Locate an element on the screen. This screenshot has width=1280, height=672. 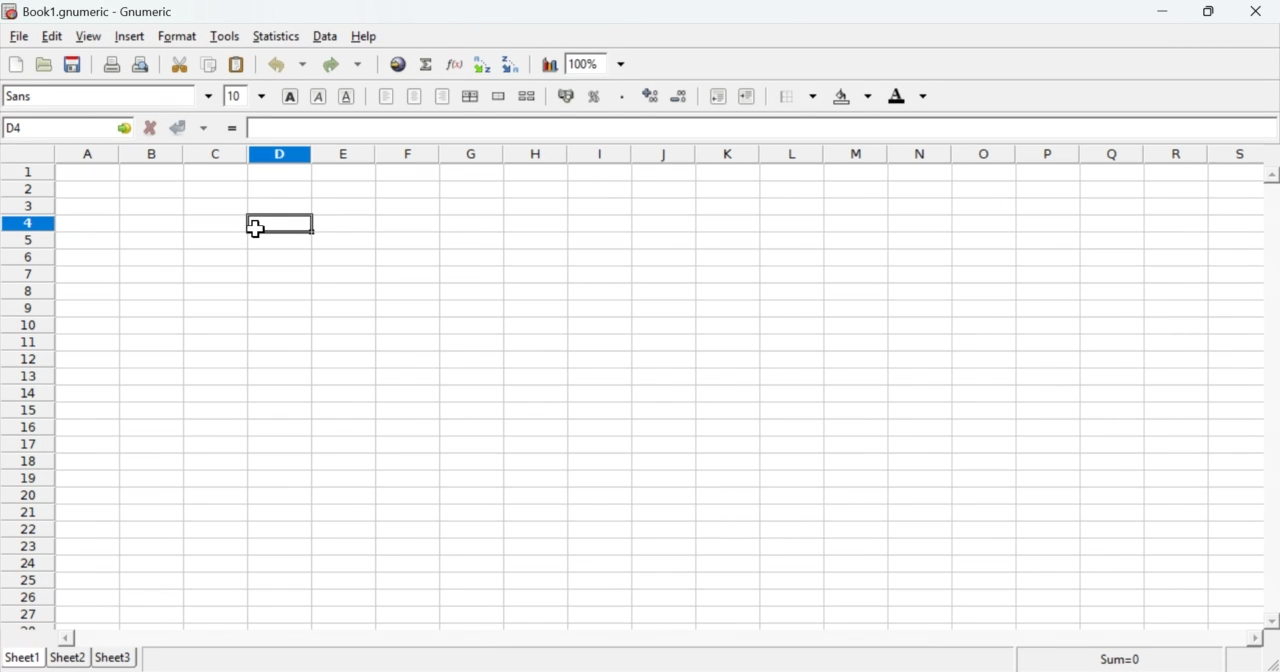
scroll left is located at coordinates (68, 637).